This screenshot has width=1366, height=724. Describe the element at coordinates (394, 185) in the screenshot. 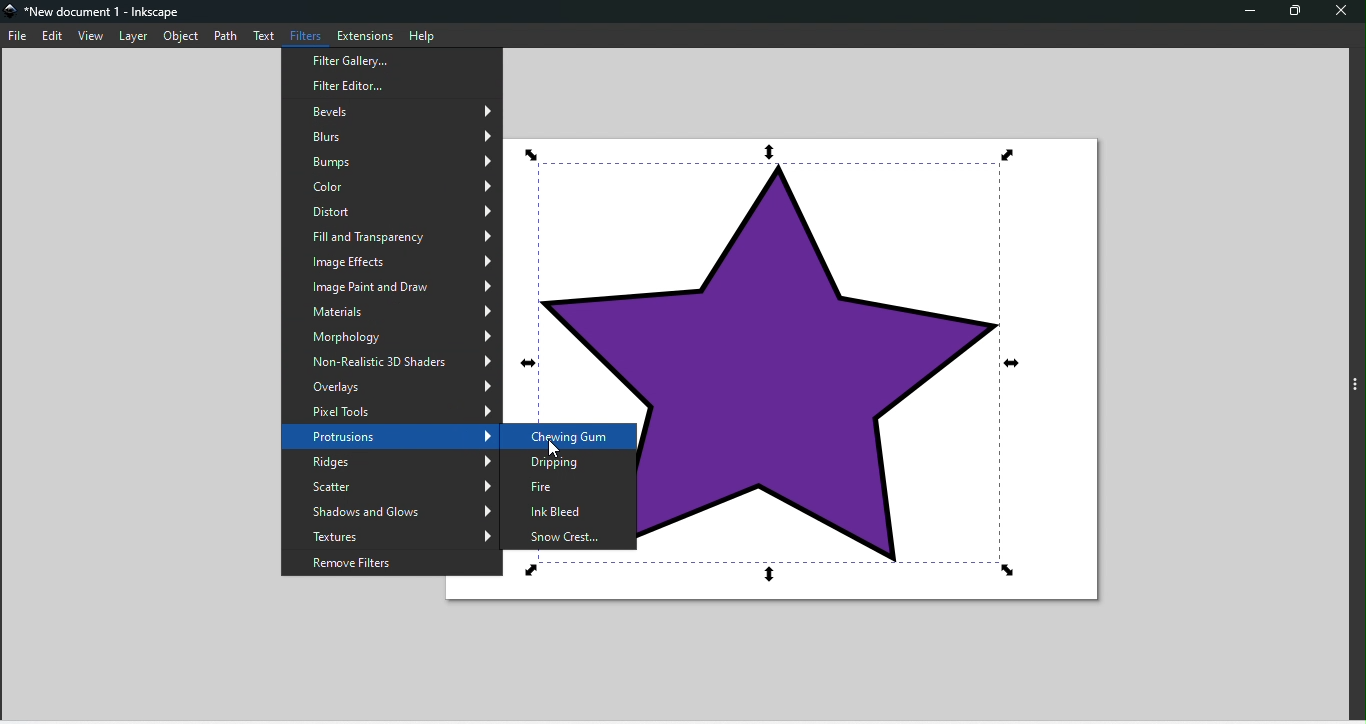

I see `Color` at that location.